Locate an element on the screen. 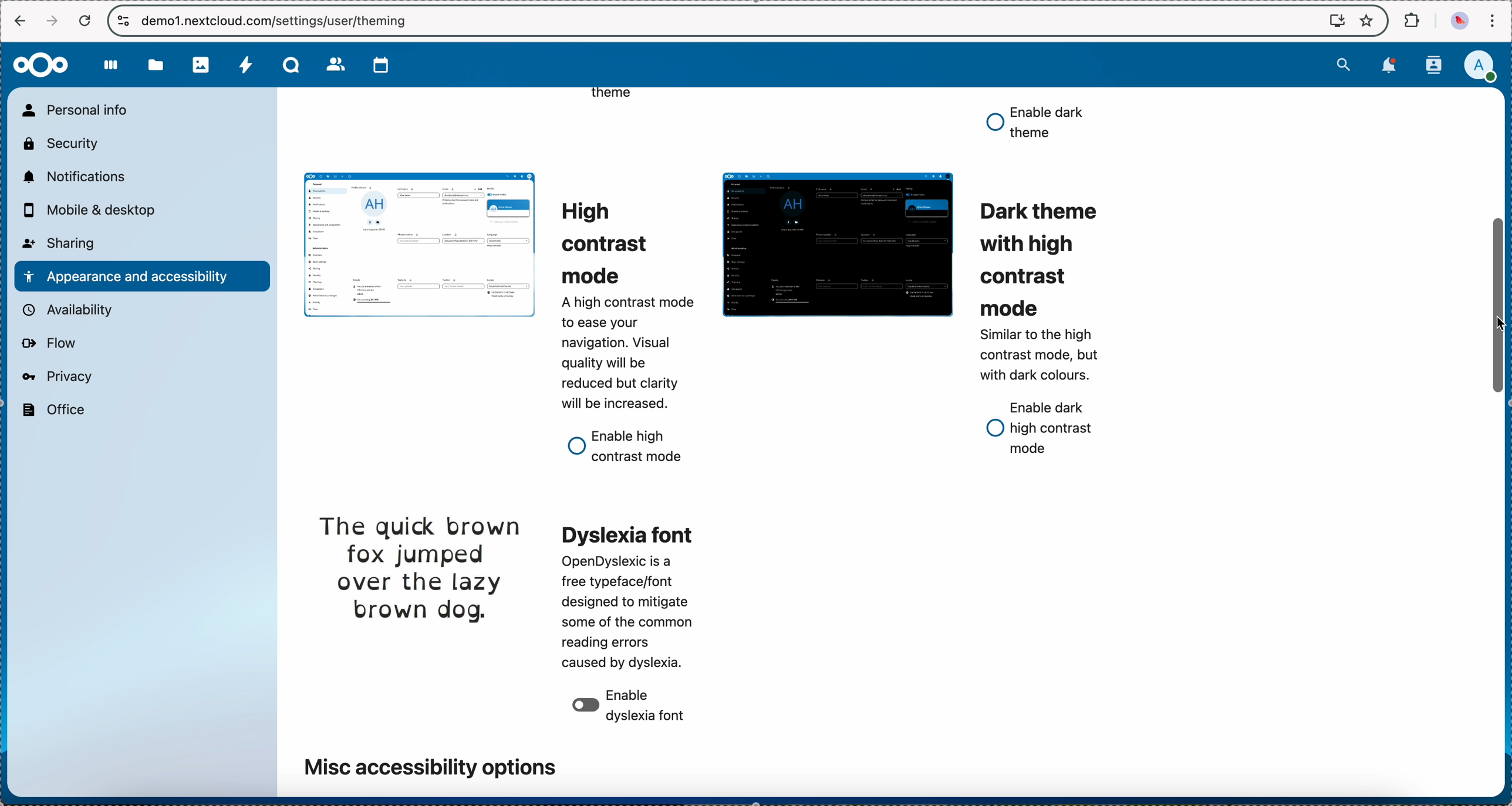 The image size is (1512, 806). screen is located at coordinates (1331, 21).